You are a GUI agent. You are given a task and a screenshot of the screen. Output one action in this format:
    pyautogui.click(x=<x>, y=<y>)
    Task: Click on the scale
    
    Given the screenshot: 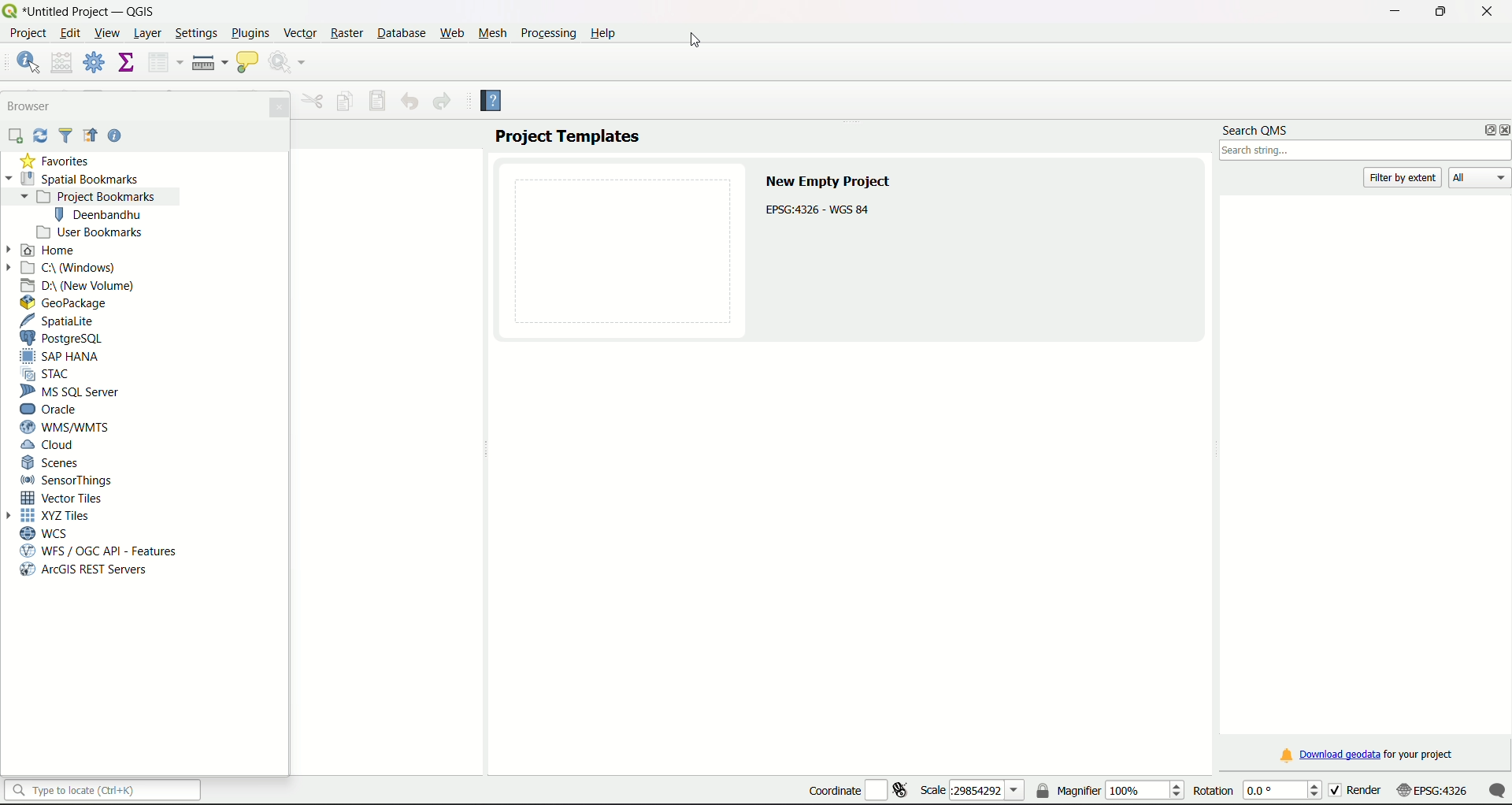 What is the action you would take?
    pyautogui.click(x=1461, y=792)
    